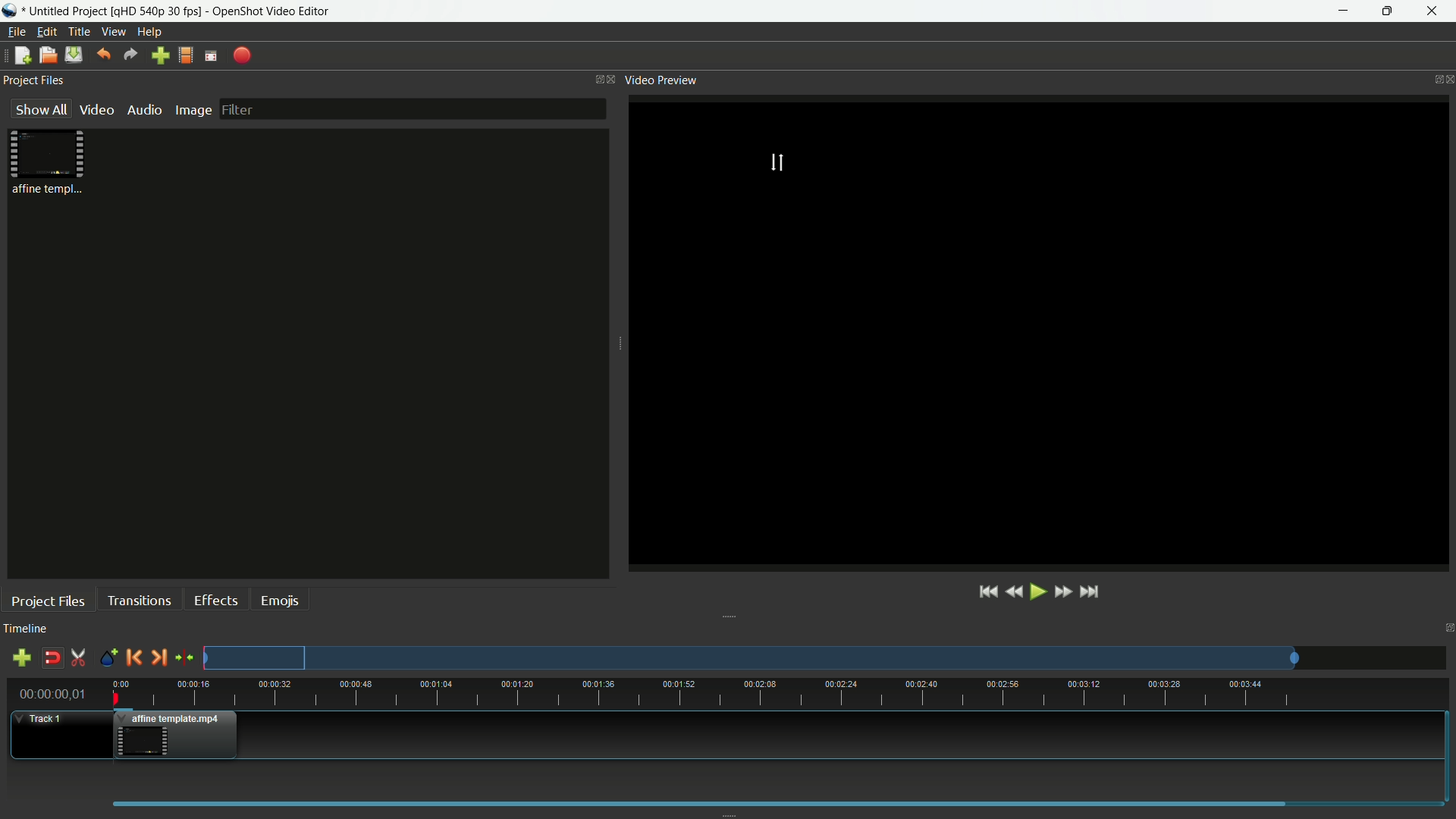 The image size is (1456, 819). What do you see at coordinates (152, 11) in the screenshot?
I see `profile` at bounding box center [152, 11].